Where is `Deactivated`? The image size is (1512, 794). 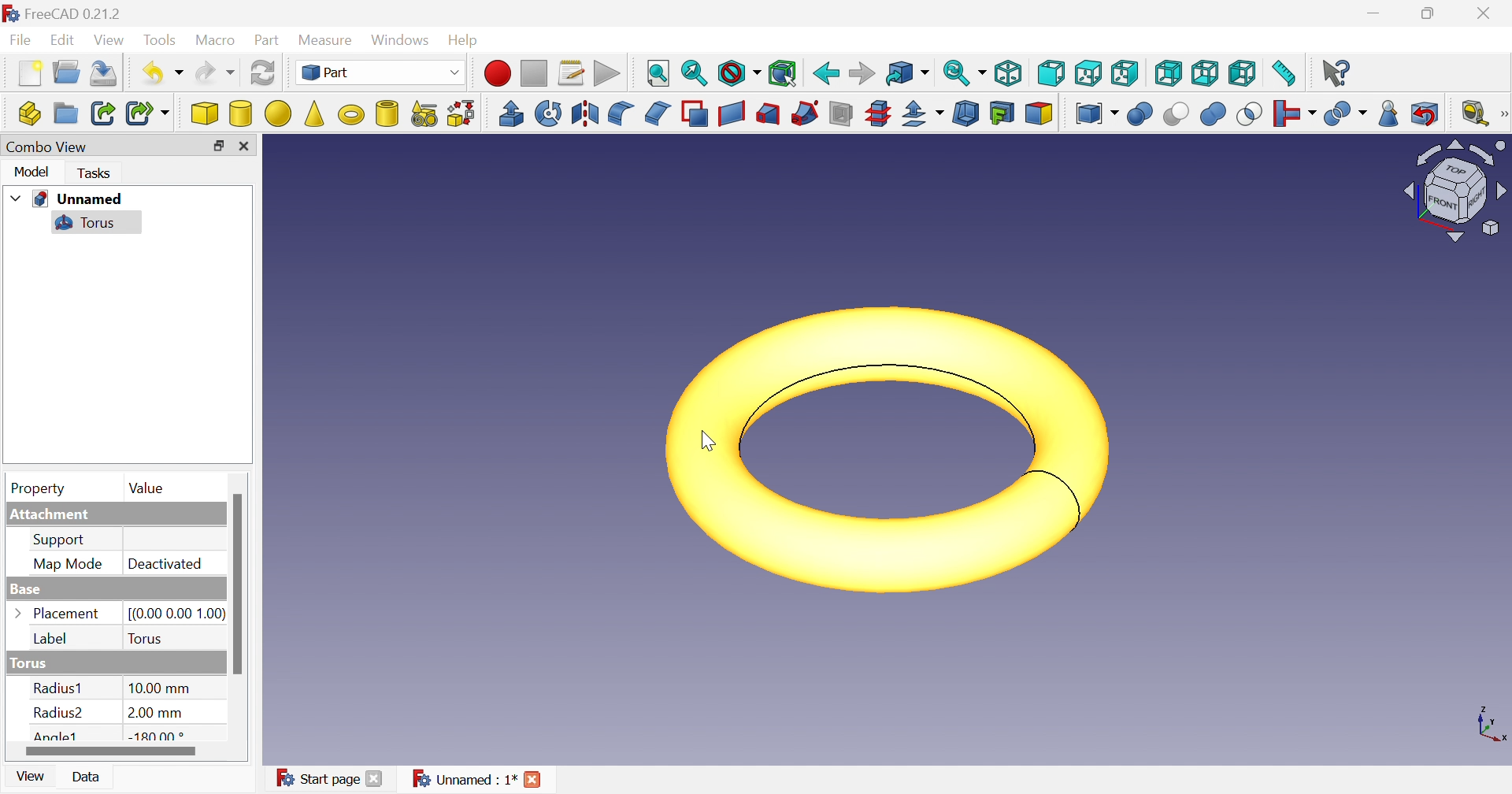 Deactivated is located at coordinates (168, 565).